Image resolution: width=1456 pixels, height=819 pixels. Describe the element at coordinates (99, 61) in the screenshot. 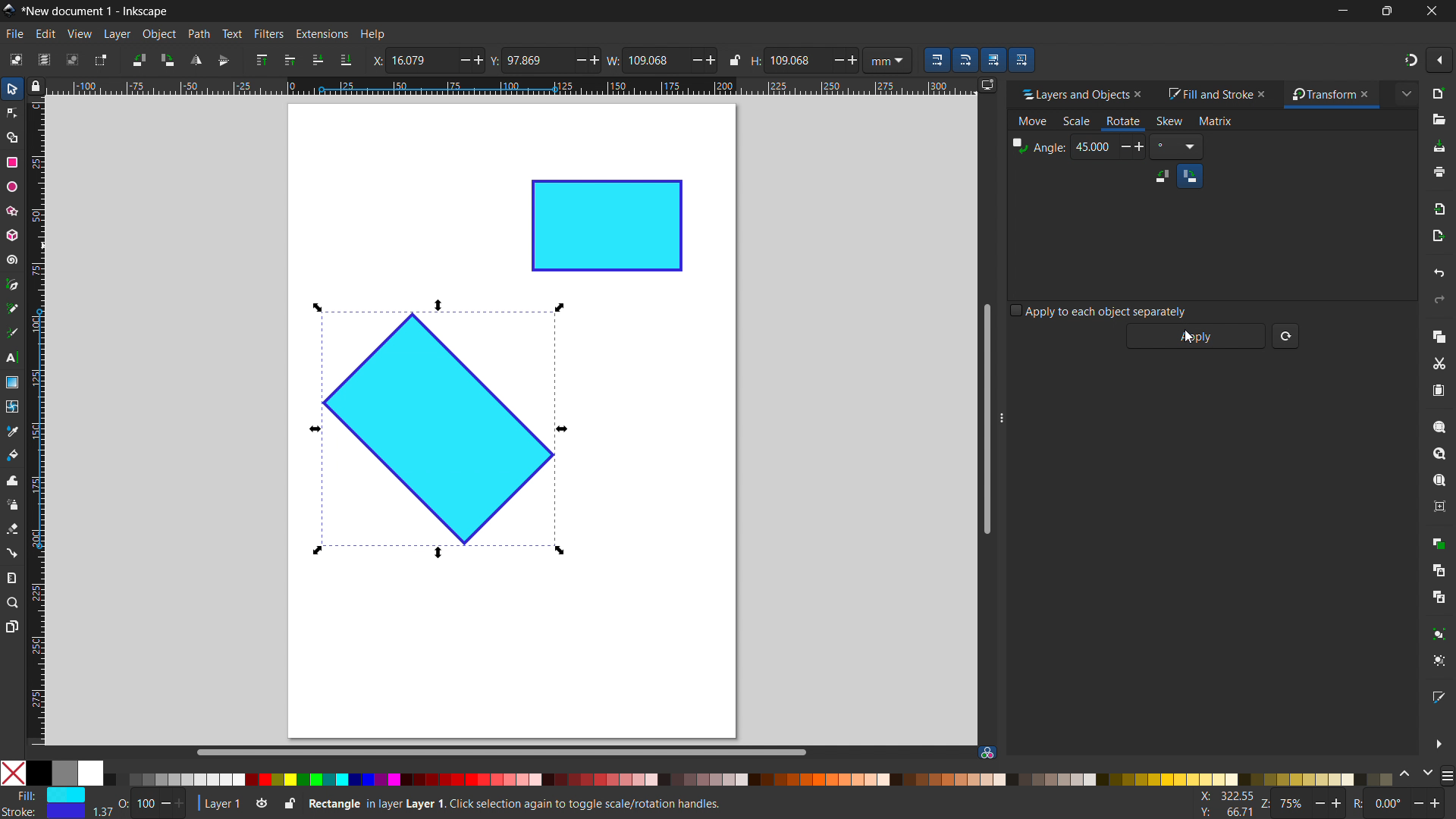

I see `toggle selection box` at that location.